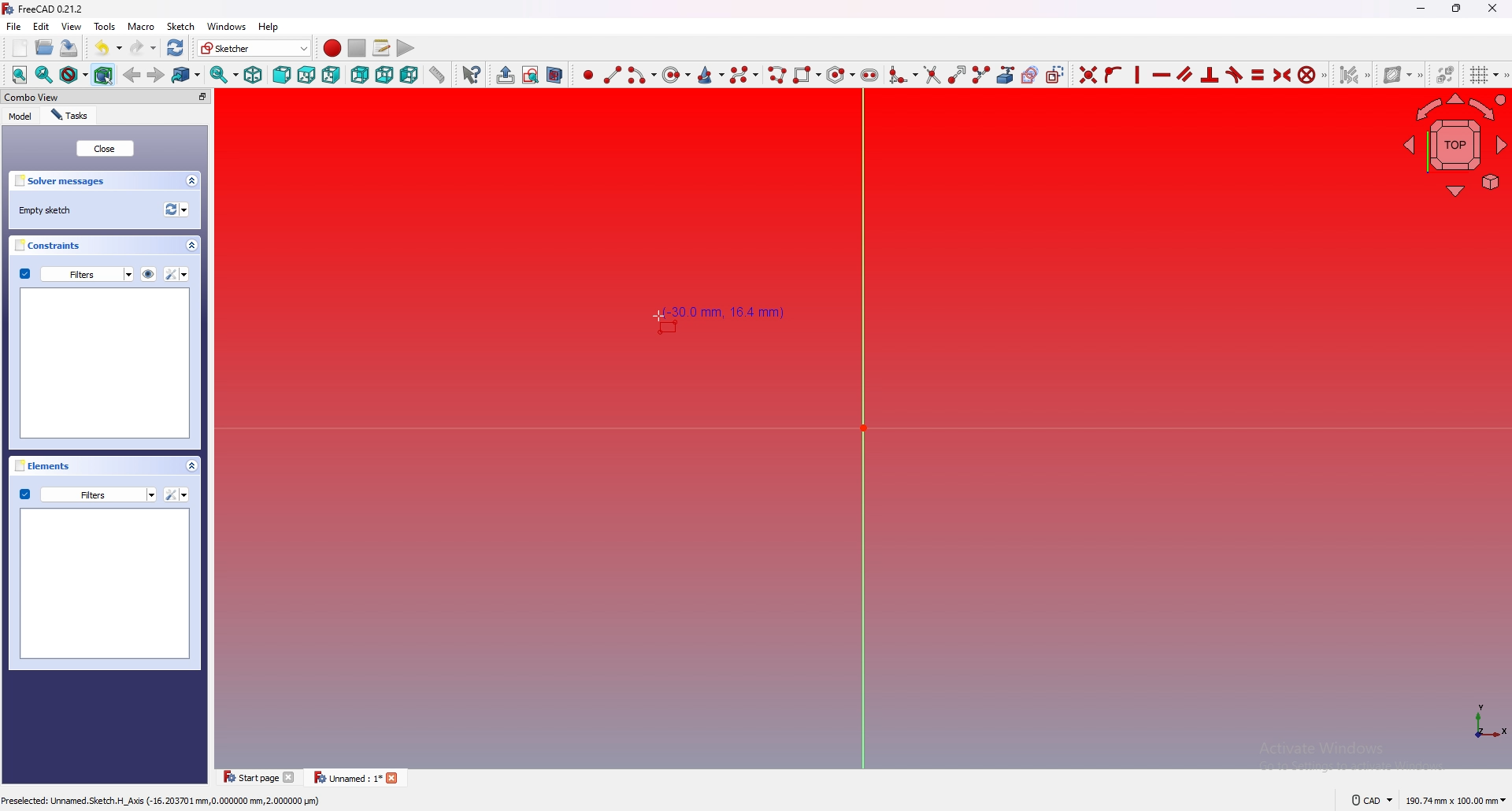 The width and height of the screenshot is (1512, 811). I want to click on tab, so click(354, 776).